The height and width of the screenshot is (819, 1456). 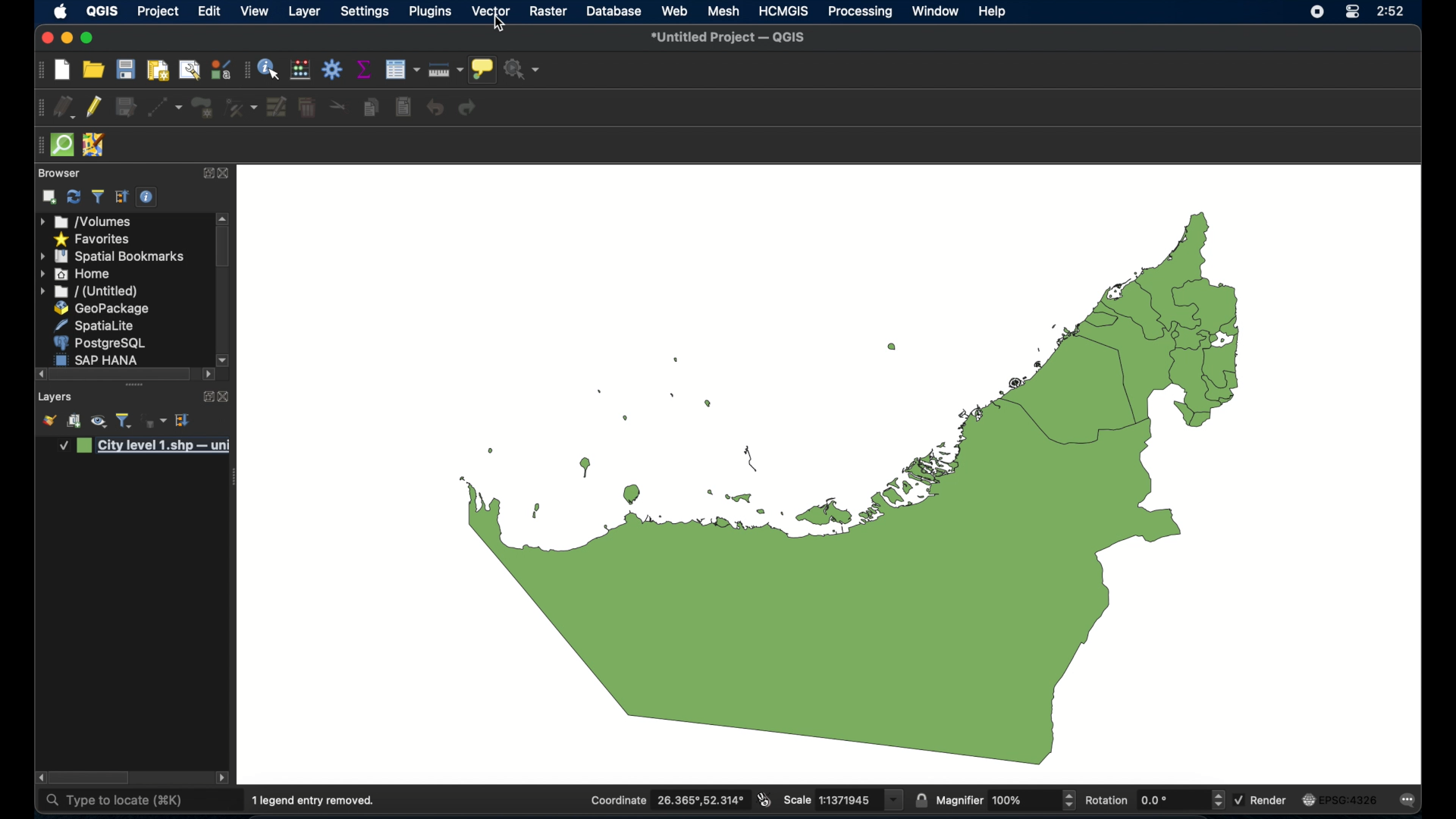 What do you see at coordinates (300, 70) in the screenshot?
I see `open field calculator` at bounding box center [300, 70].